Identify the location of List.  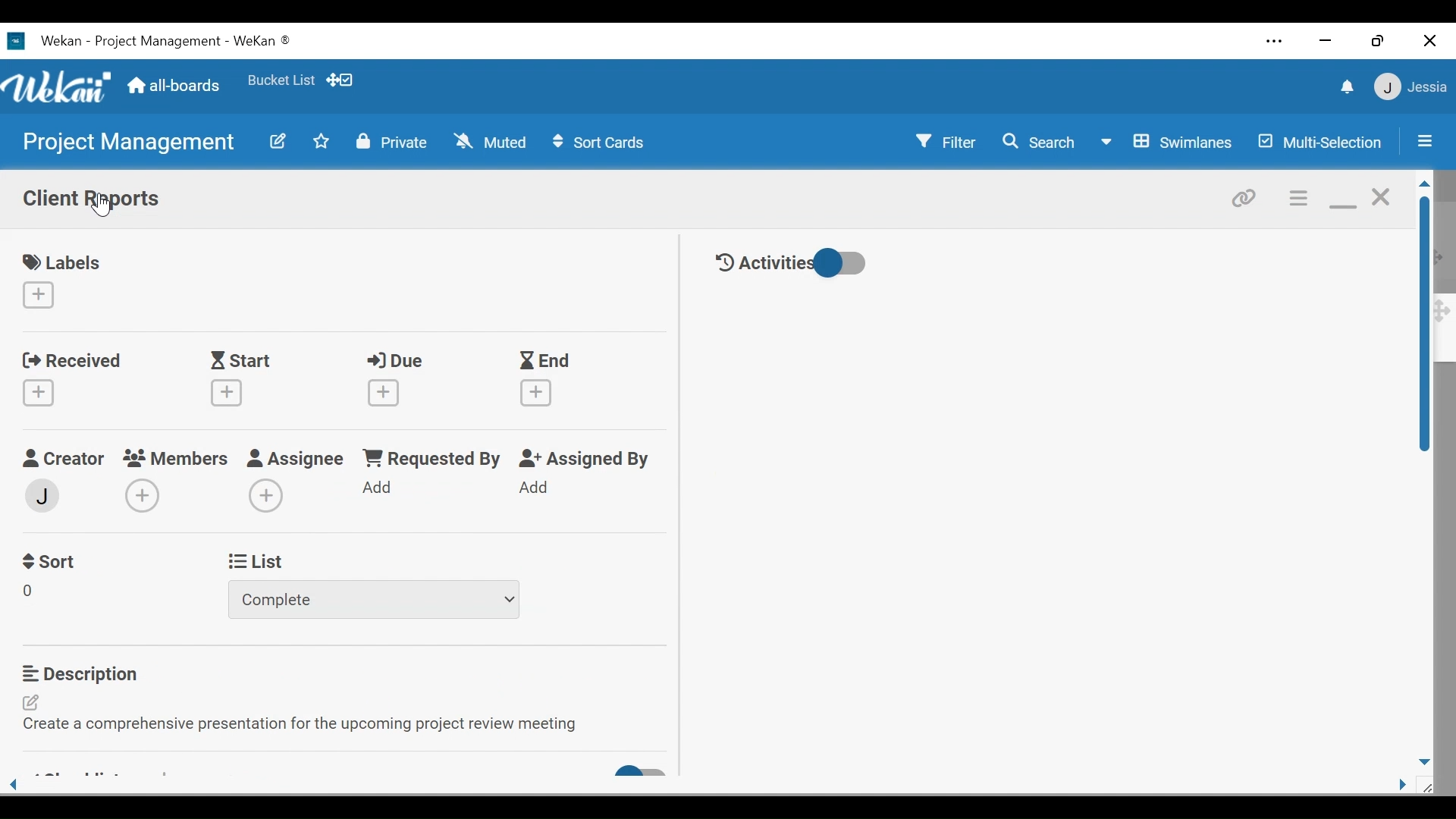
(256, 560).